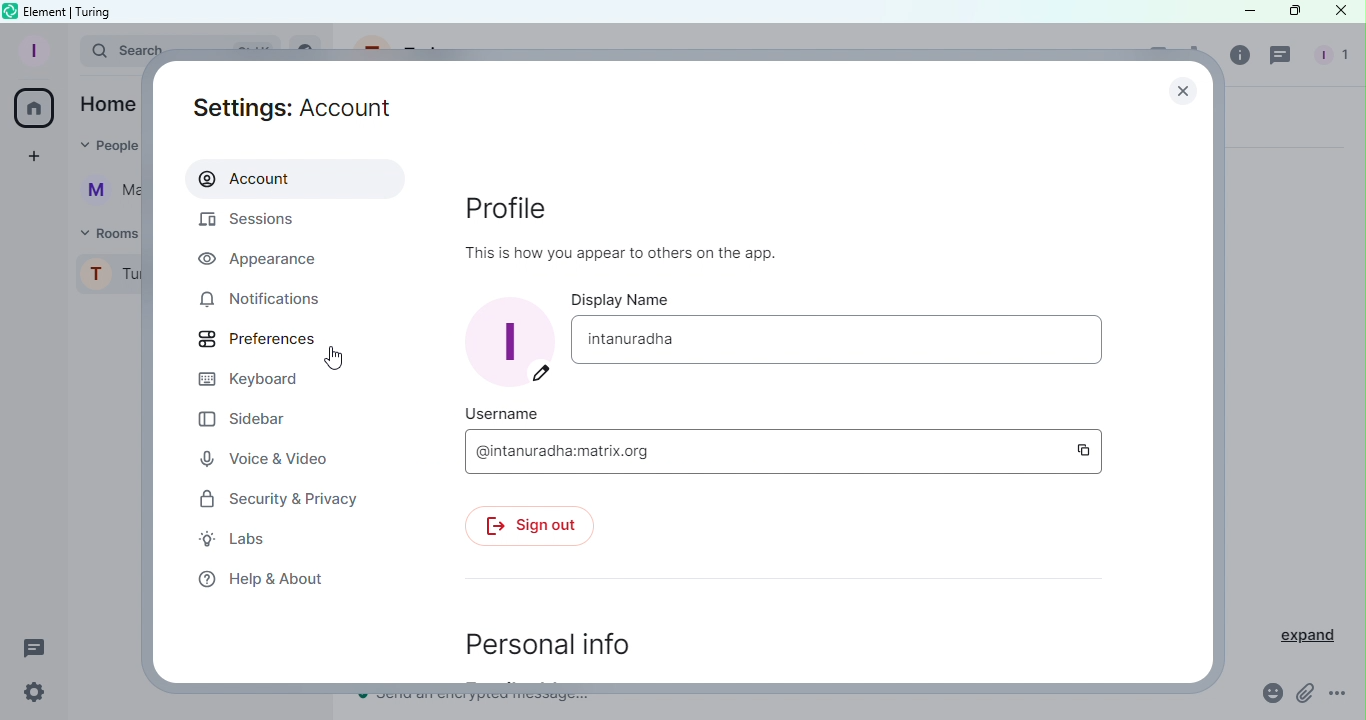 The height and width of the screenshot is (720, 1366). What do you see at coordinates (1340, 14) in the screenshot?
I see `Close` at bounding box center [1340, 14].